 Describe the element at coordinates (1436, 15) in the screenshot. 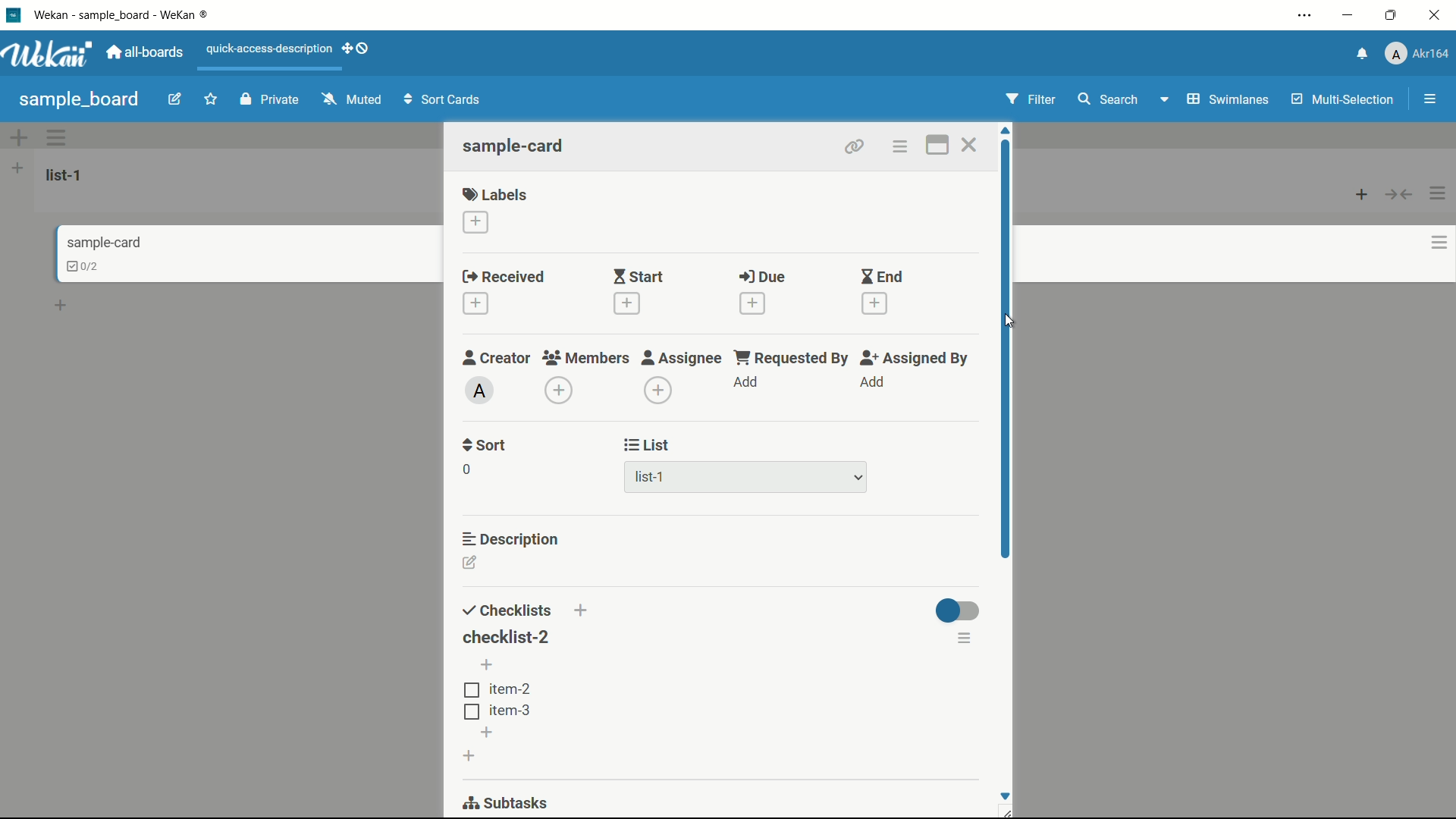

I see `close app` at that location.